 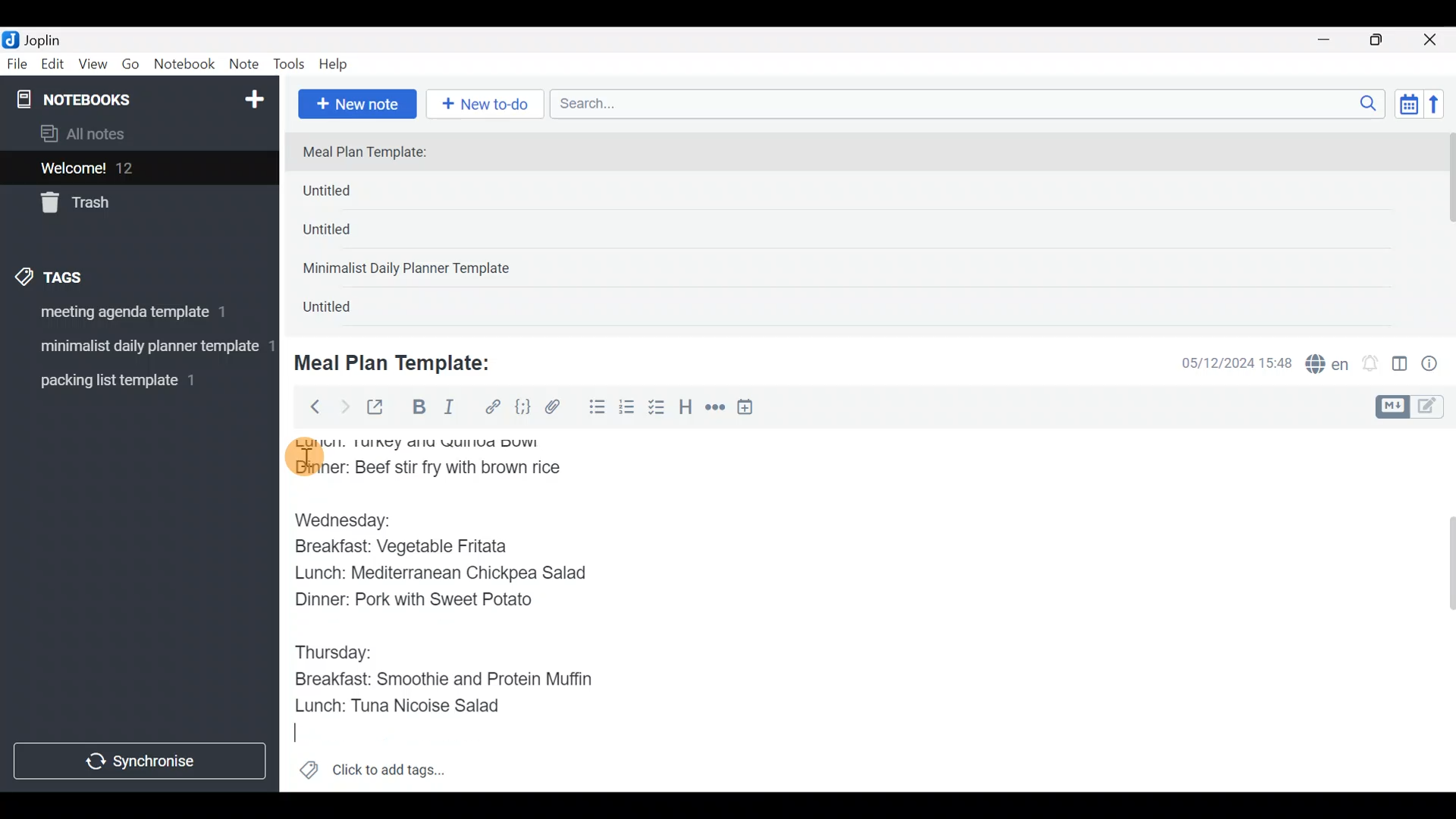 I want to click on Toggle editor layout, so click(x=1401, y=366).